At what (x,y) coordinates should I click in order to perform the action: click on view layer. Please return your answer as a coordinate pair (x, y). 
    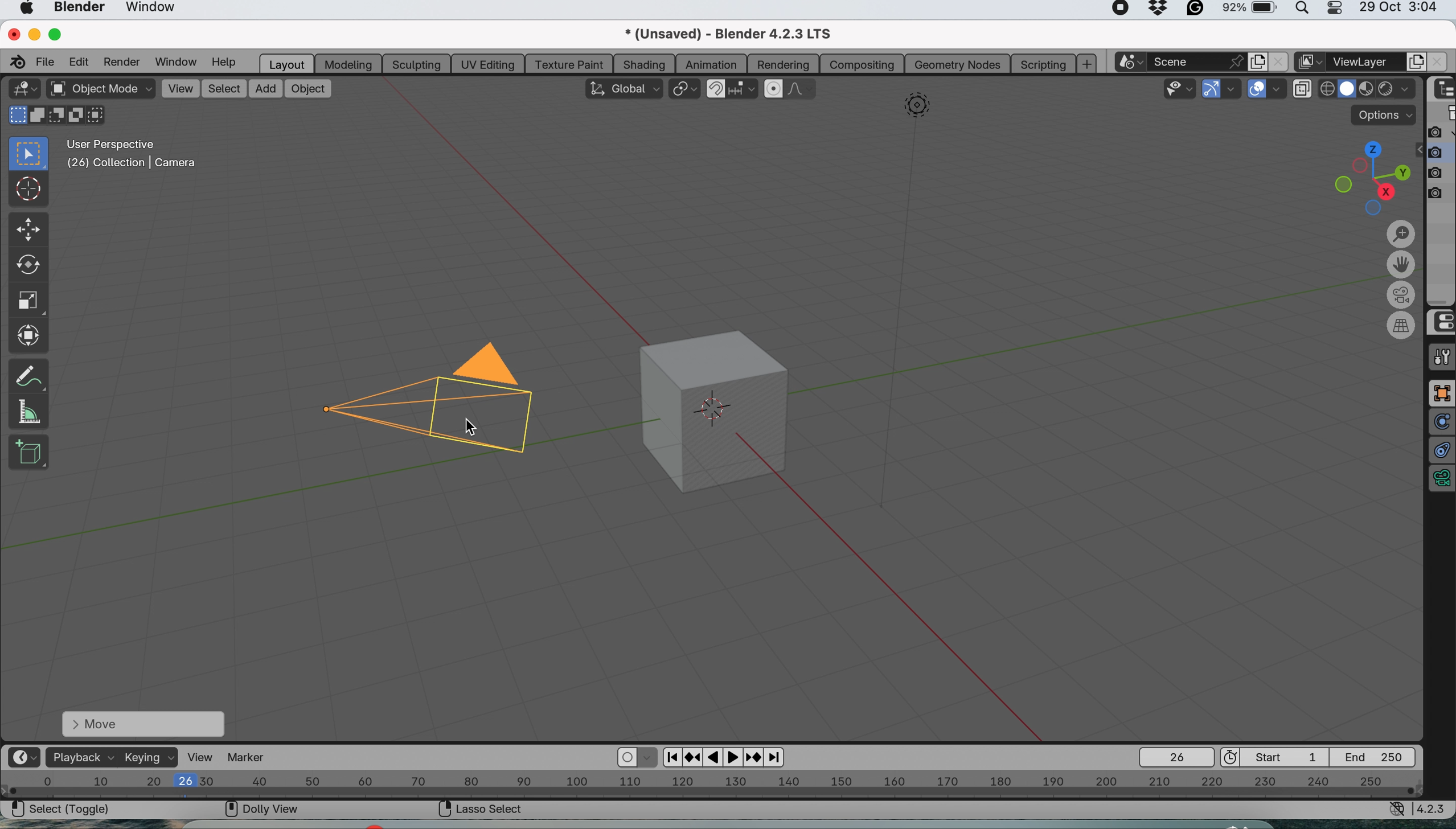
    Looking at the image, I should click on (1367, 62).